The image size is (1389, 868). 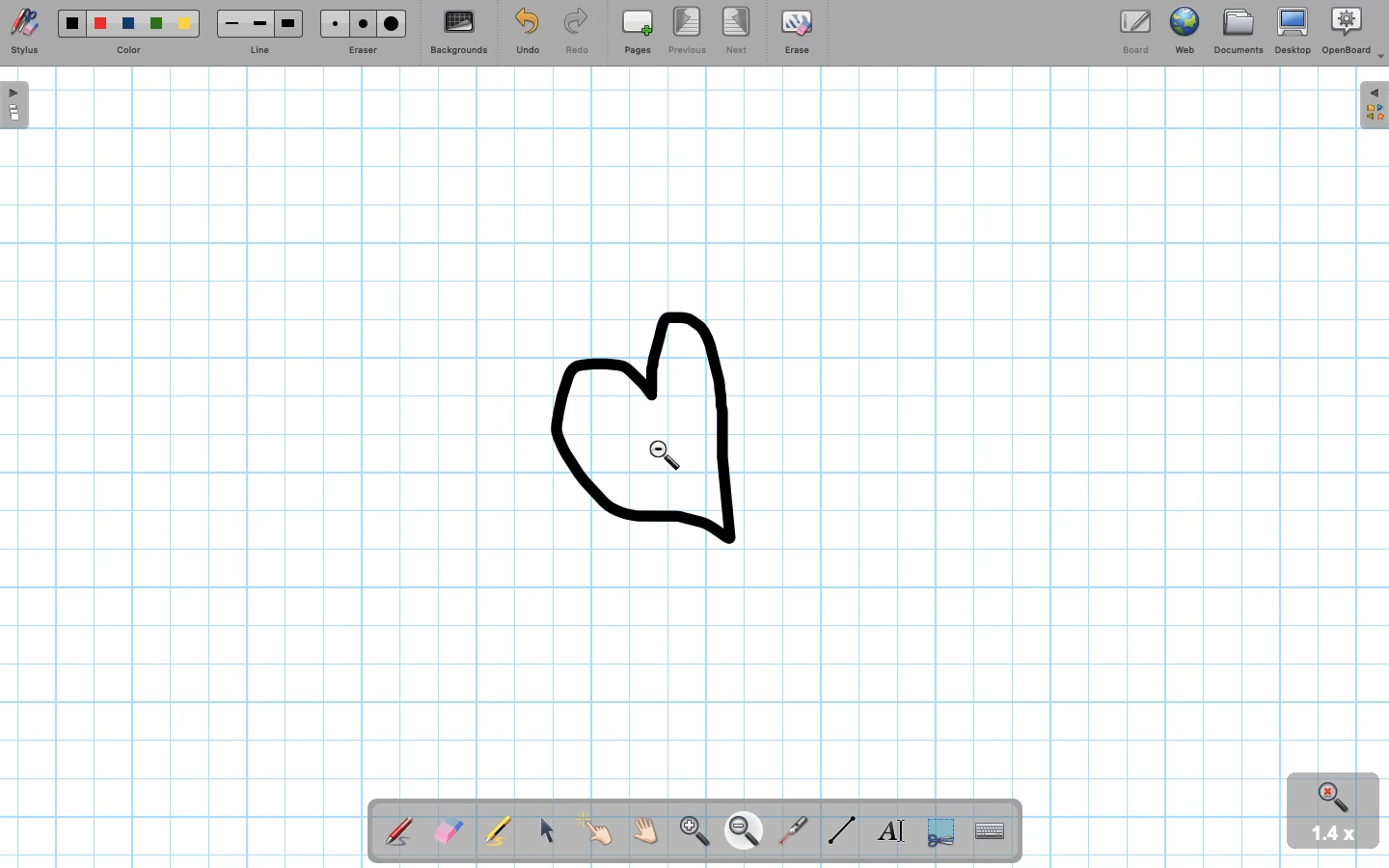 What do you see at coordinates (459, 32) in the screenshot?
I see `Backgrounds` at bounding box center [459, 32].